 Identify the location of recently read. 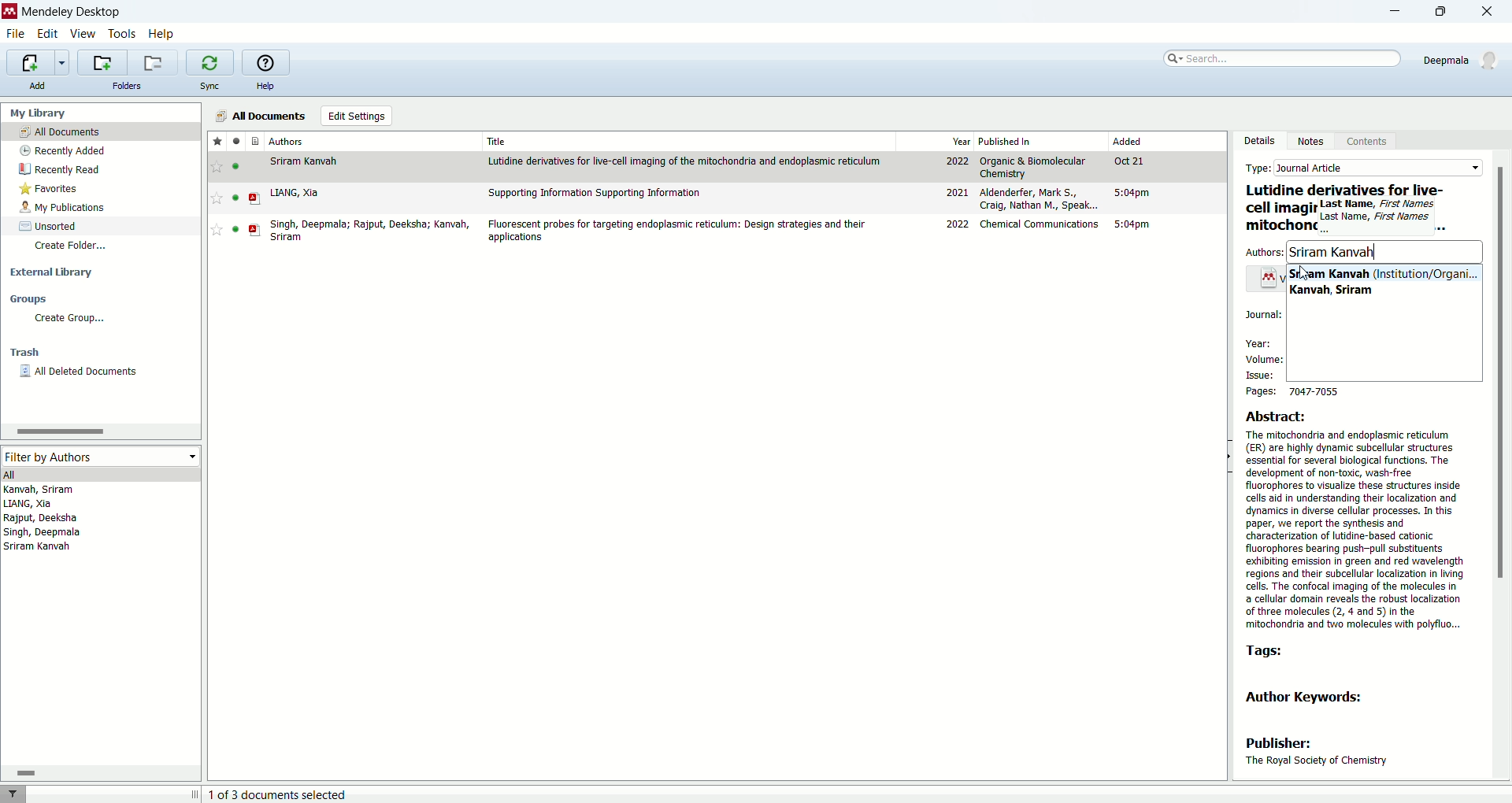
(66, 169).